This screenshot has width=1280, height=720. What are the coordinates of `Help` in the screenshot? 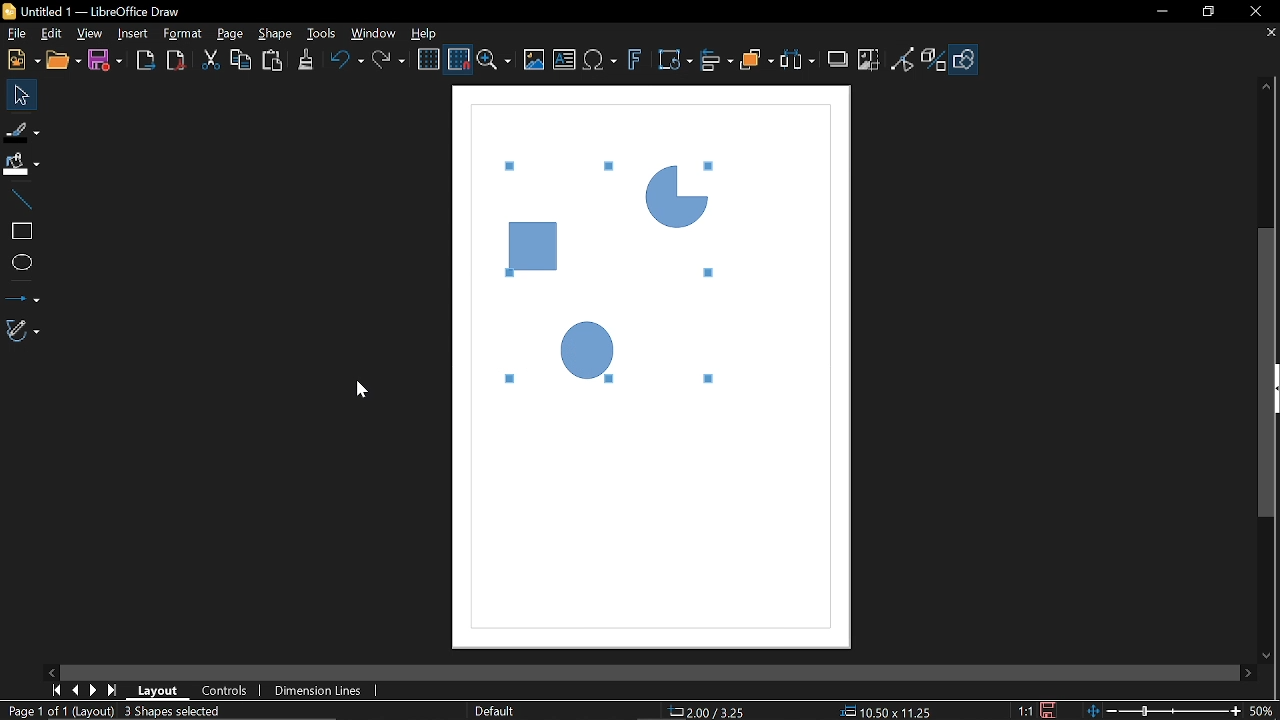 It's located at (426, 34).